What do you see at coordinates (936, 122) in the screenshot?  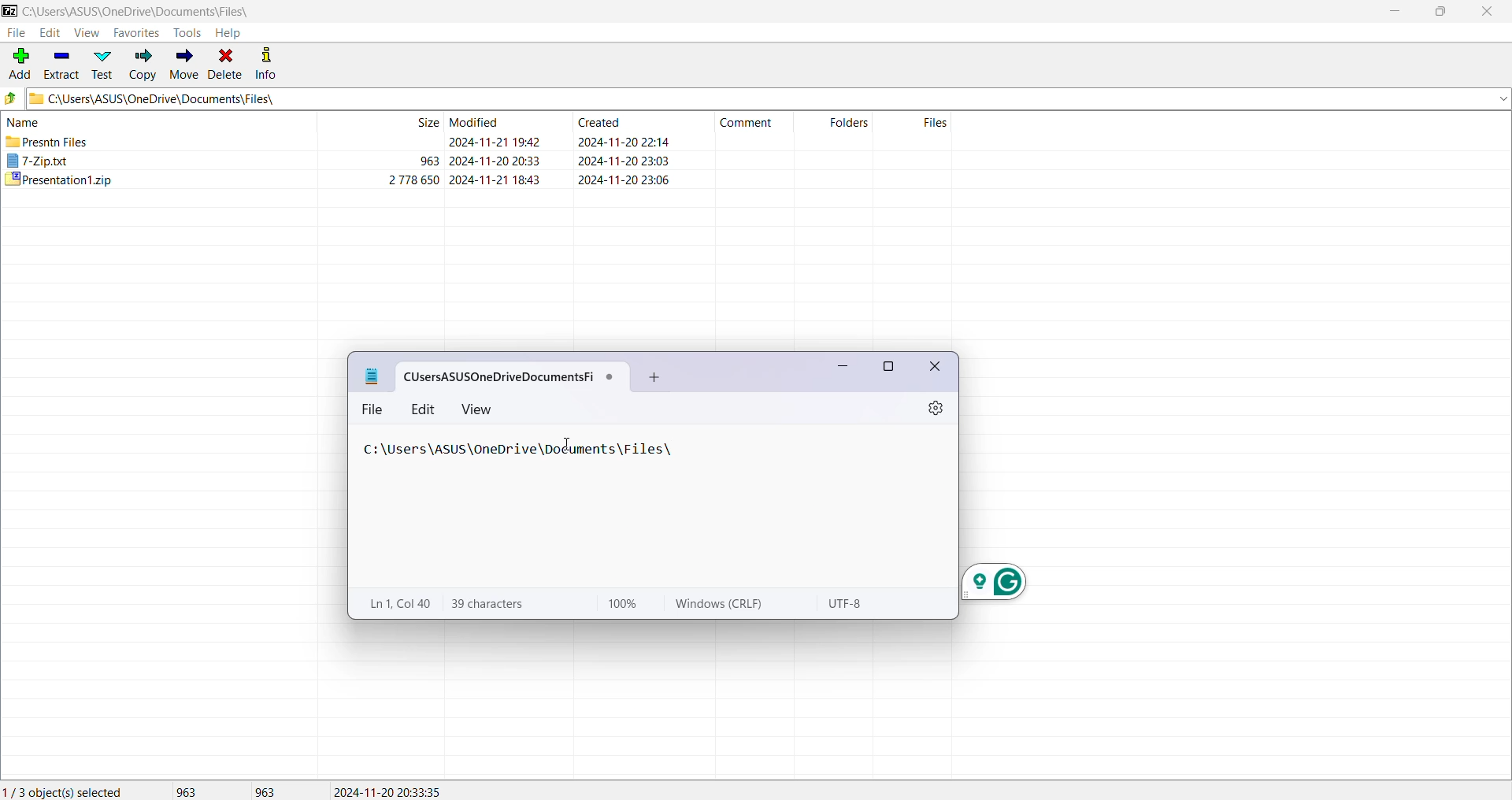 I see `files` at bounding box center [936, 122].